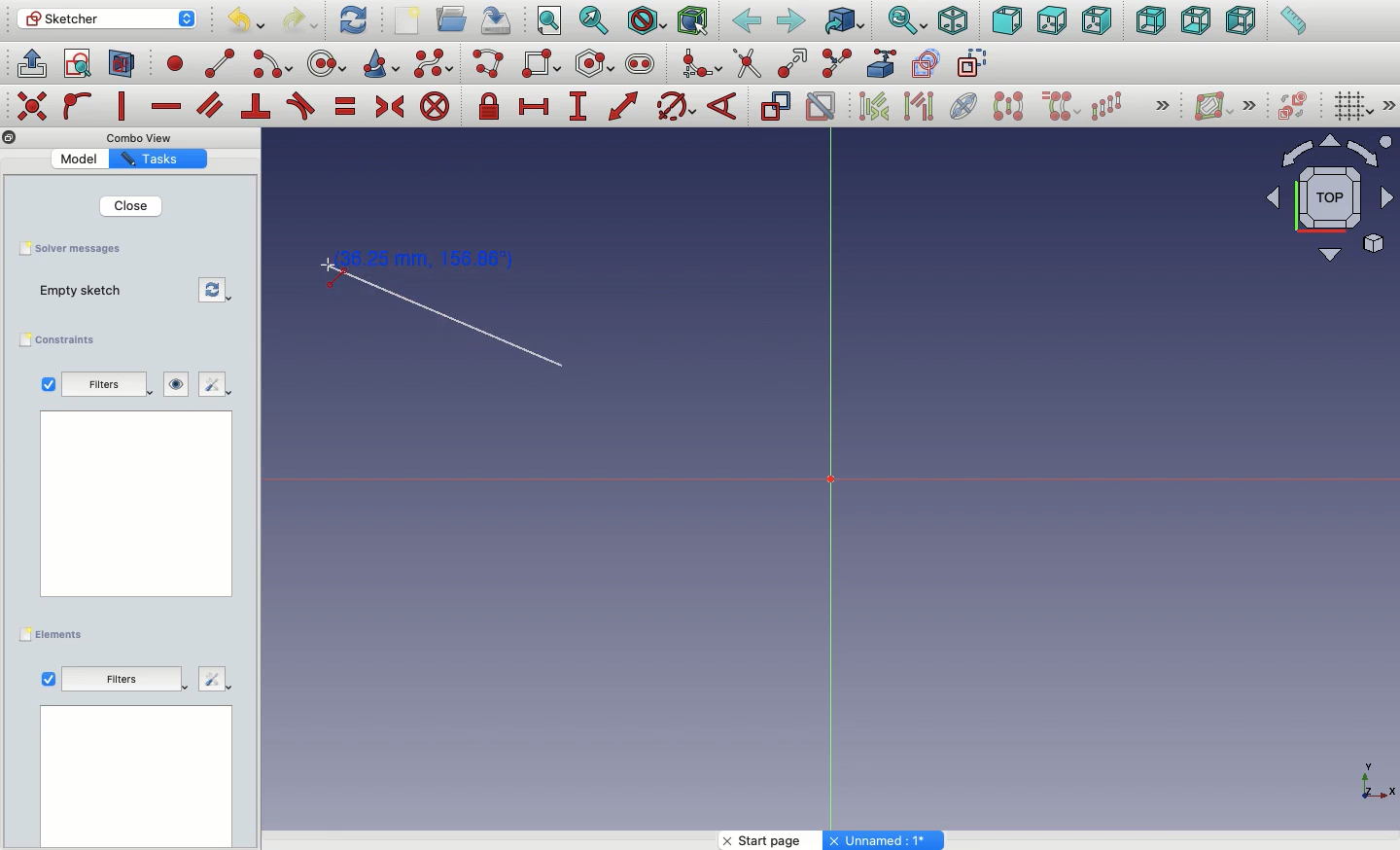  Describe the element at coordinates (215, 291) in the screenshot. I see `Refresh` at that location.